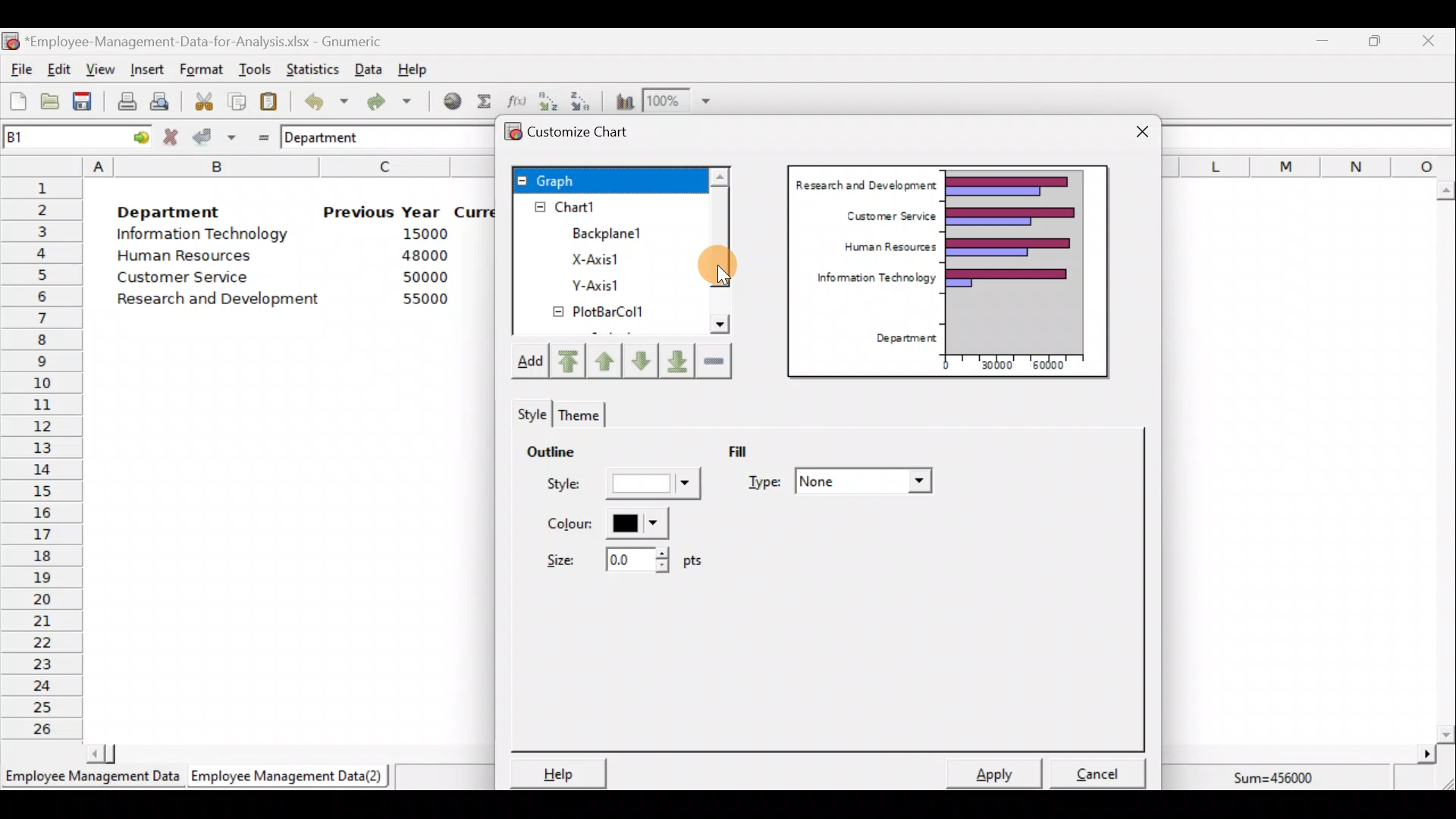  I want to click on Enter formula, so click(259, 134).